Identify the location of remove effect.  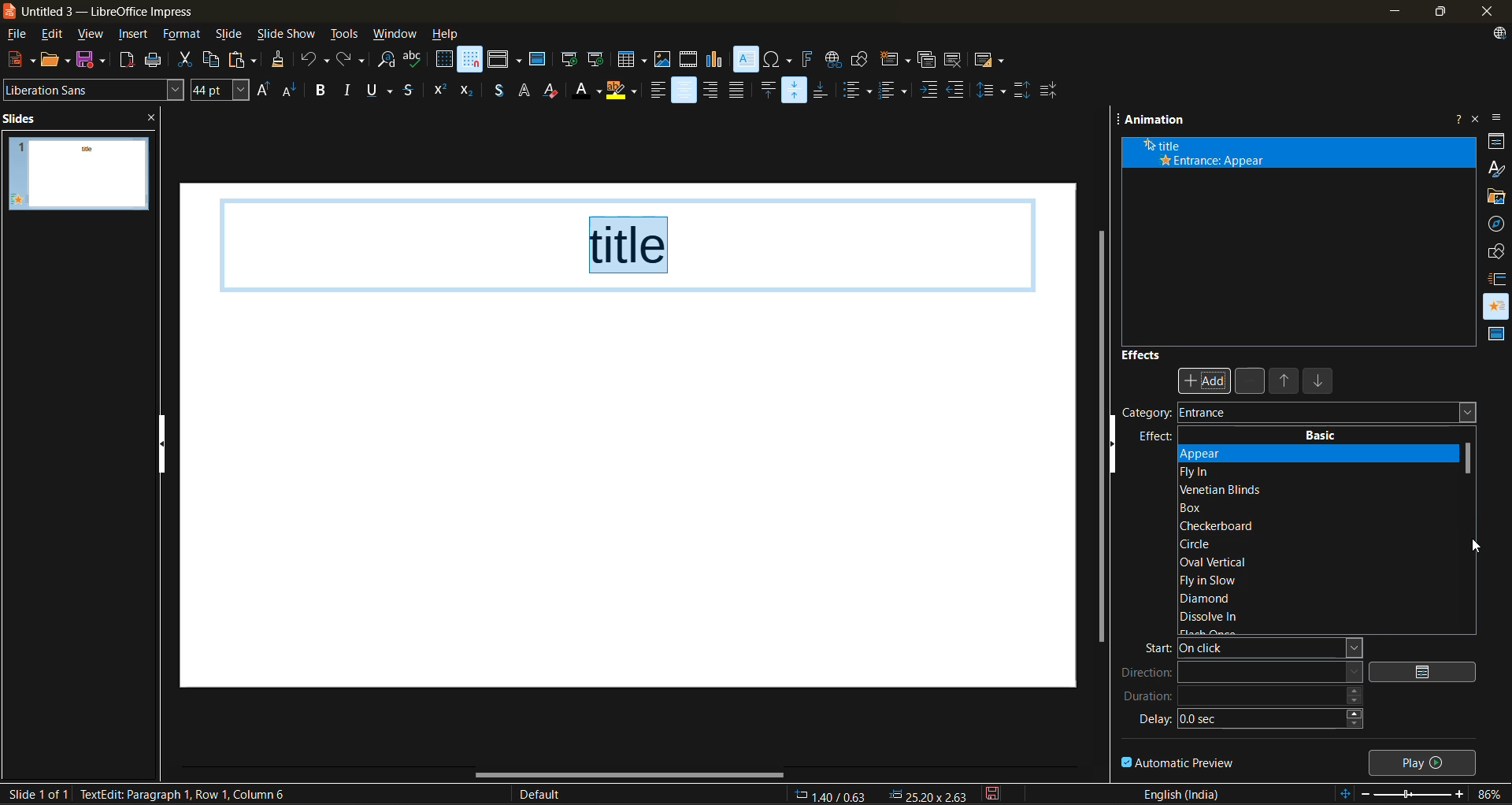
(1248, 380).